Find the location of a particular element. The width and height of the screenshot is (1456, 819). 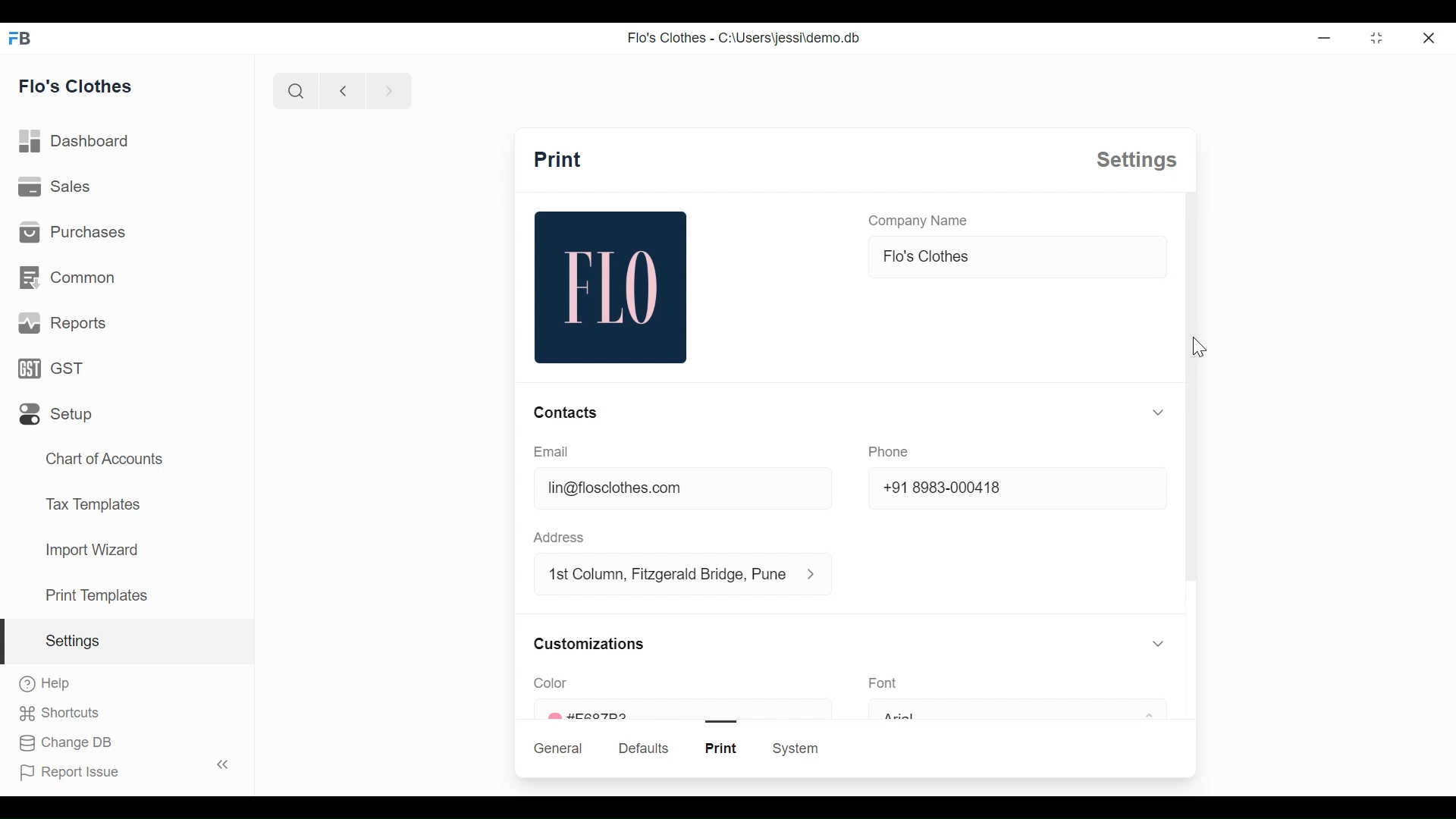

toggle expand/collapse is located at coordinates (1158, 645).